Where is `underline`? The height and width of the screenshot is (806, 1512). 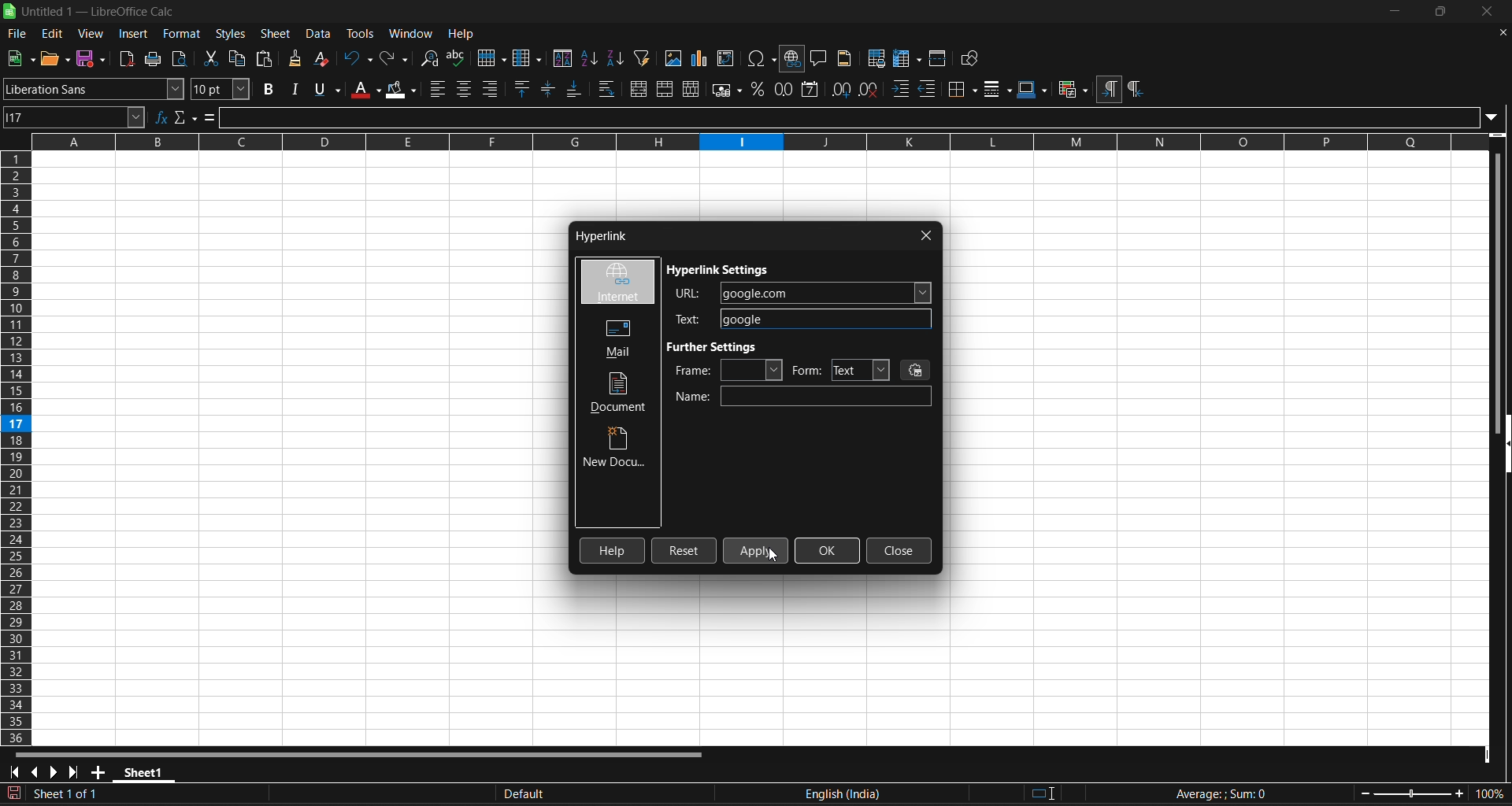 underline is located at coordinates (326, 89).